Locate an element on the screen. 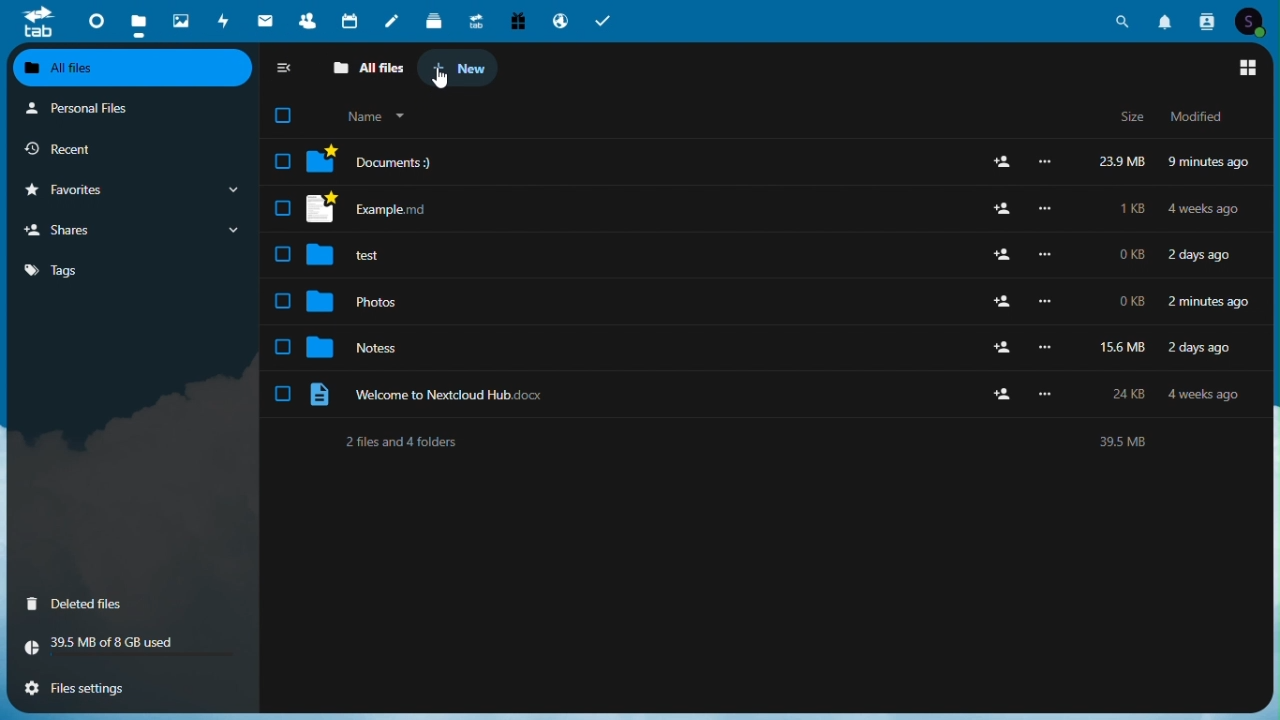 The height and width of the screenshot is (720, 1280). dashboard is located at coordinates (95, 19).